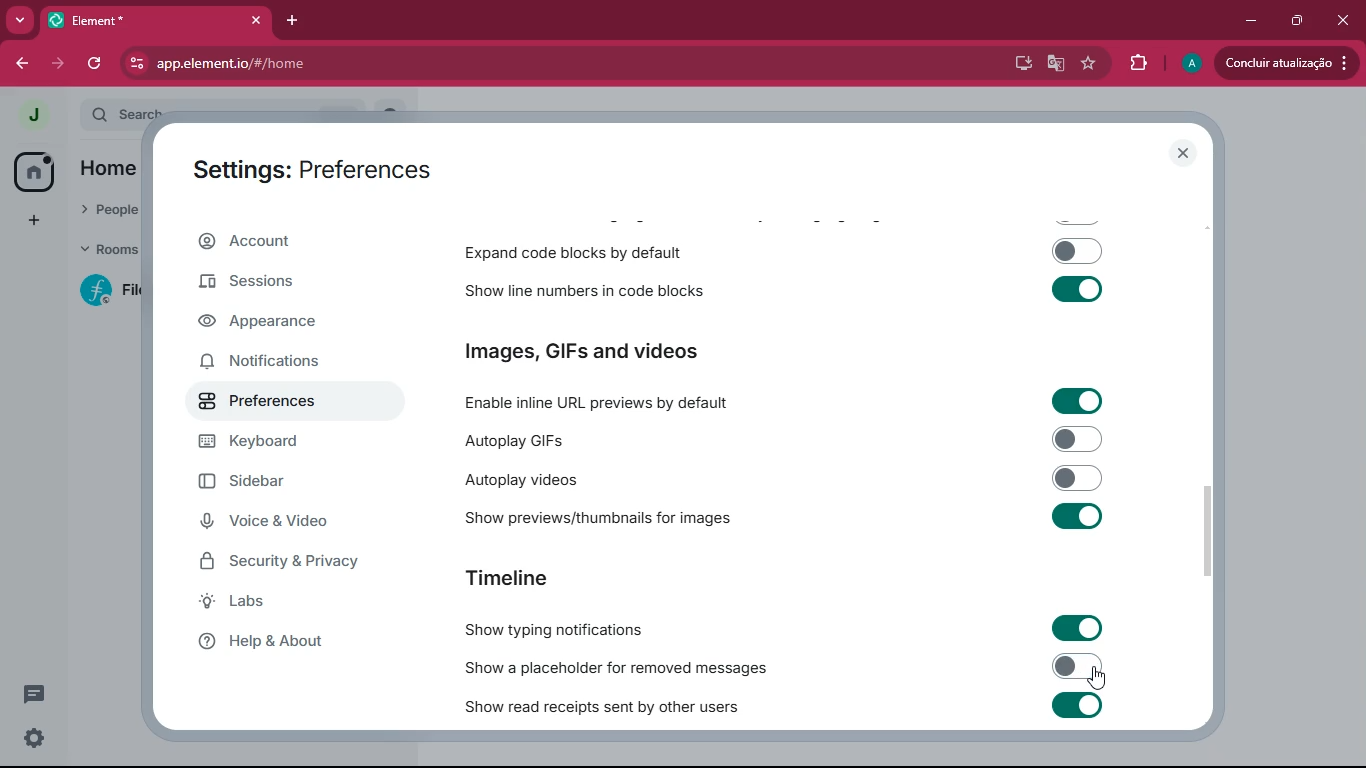  I want to click on sessions, so click(278, 283).